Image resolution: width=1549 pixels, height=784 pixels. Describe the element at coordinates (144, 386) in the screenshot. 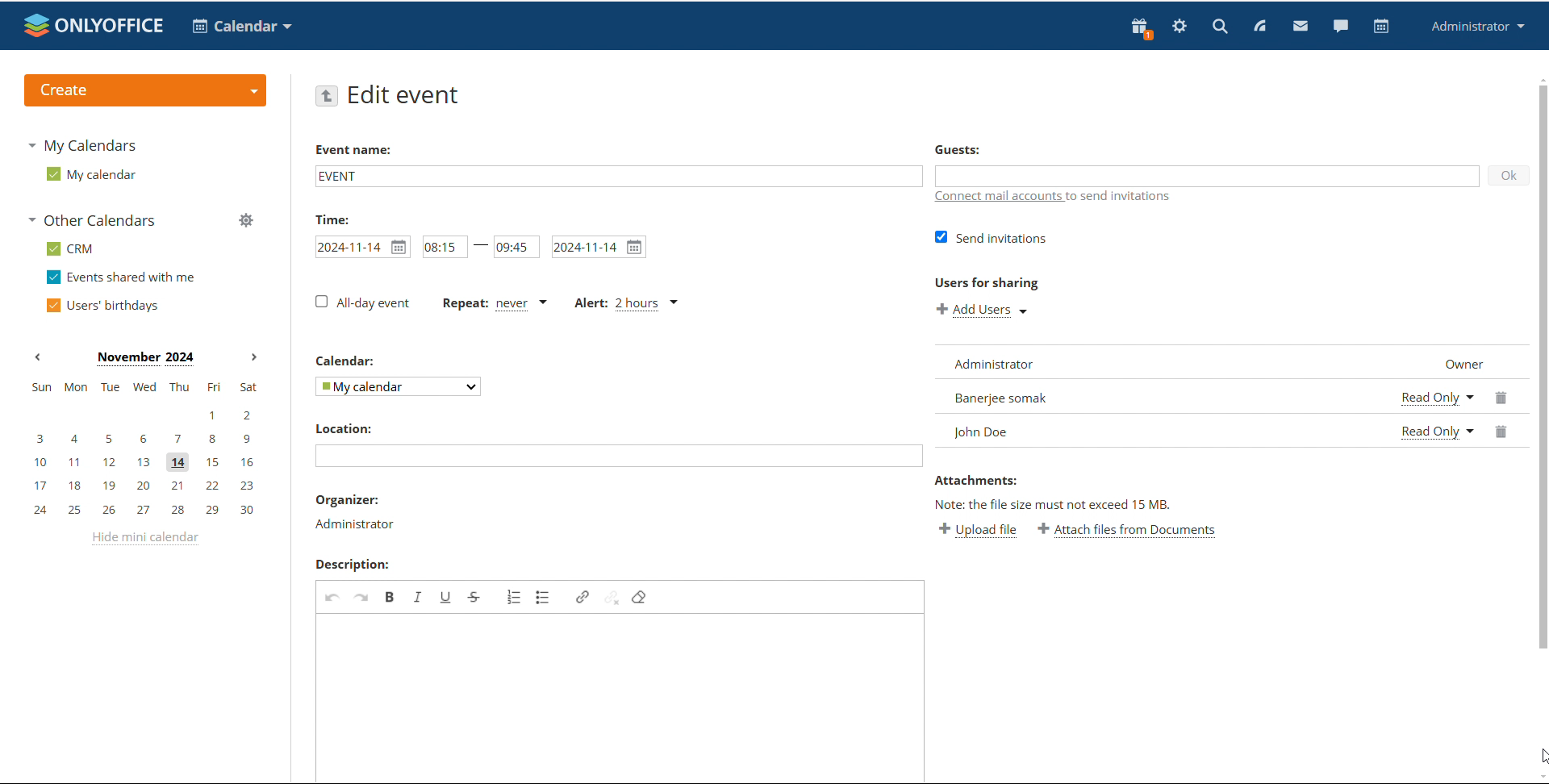

I see `mon, tue, wed, thu, fri, sat, sun` at that location.